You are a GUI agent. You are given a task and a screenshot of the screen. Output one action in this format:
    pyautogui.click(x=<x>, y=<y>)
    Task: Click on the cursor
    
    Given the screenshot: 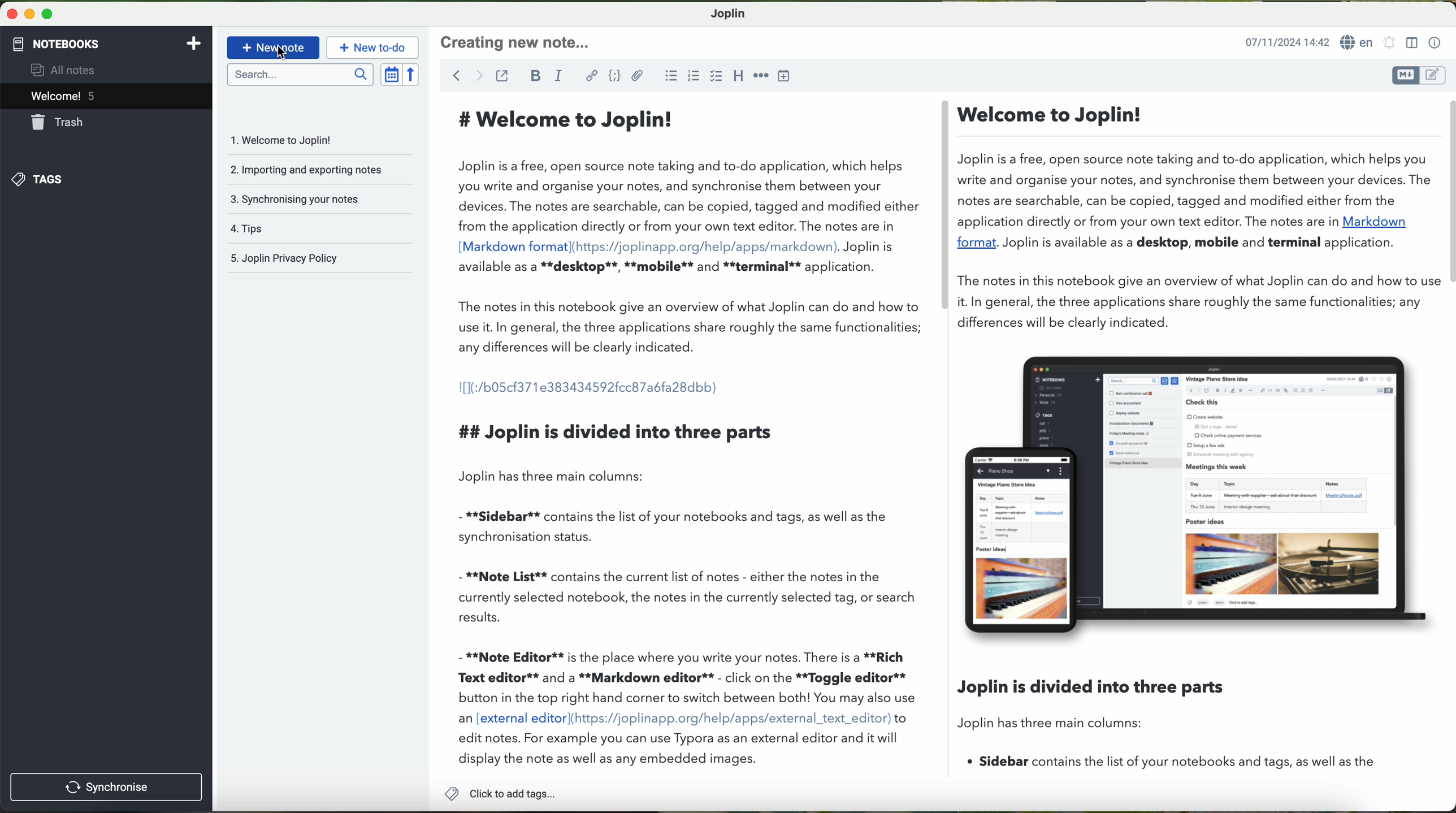 What is the action you would take?
    pyautogui.click(x=284, y=57)
    